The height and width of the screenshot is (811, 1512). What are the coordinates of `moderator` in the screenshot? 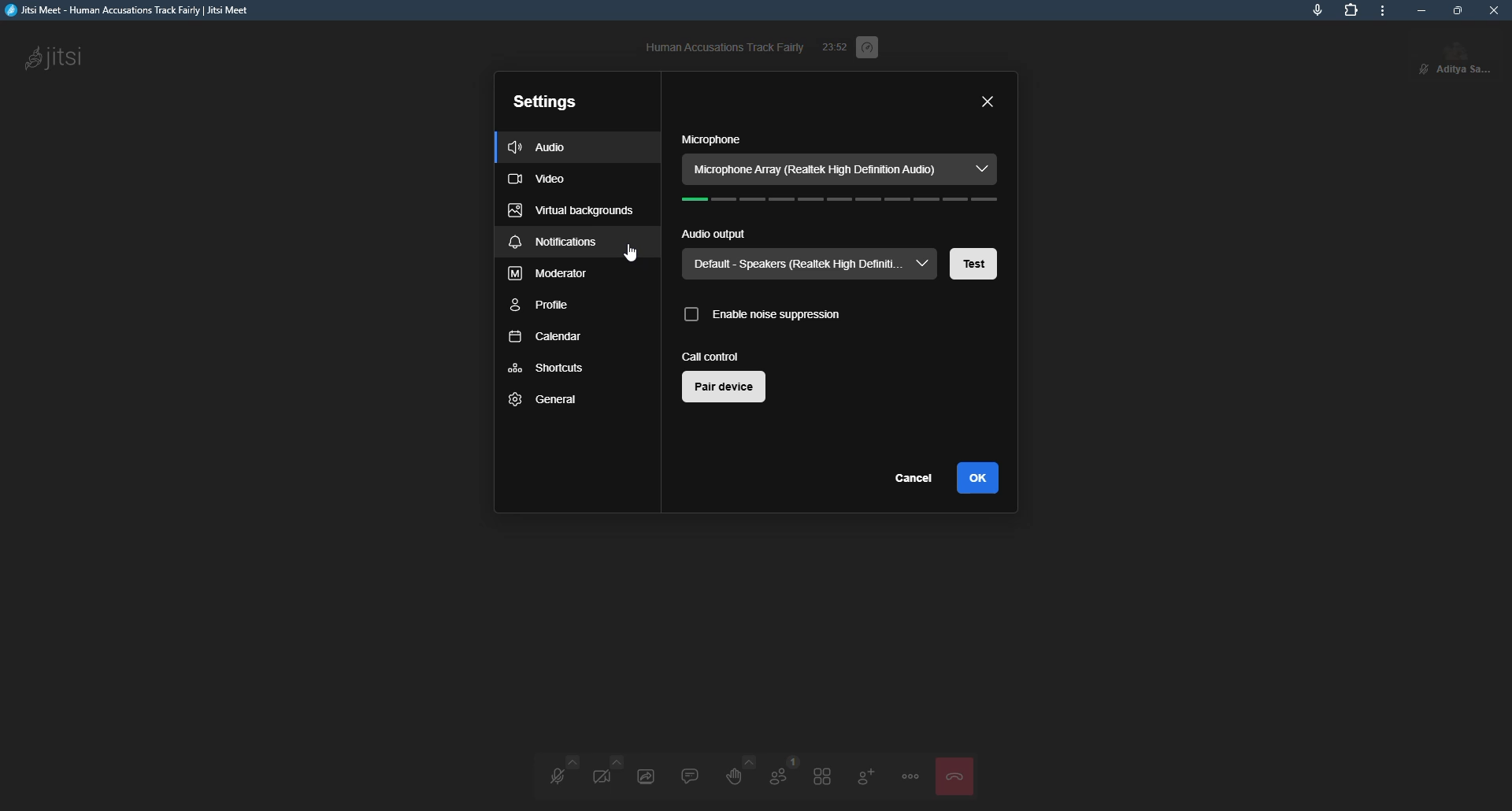 It's located at (550, 273).